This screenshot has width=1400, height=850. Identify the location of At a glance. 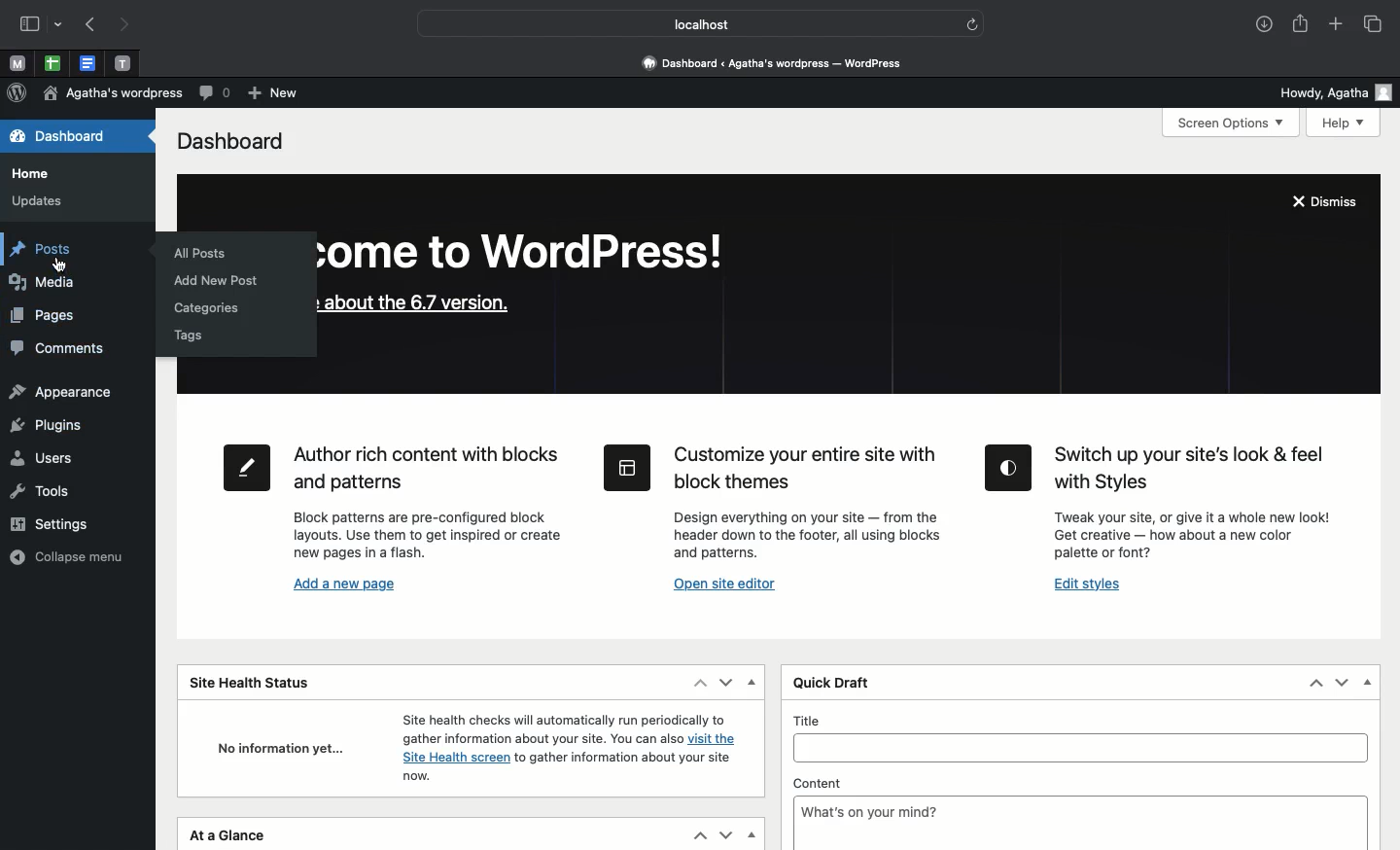
(232, 836).